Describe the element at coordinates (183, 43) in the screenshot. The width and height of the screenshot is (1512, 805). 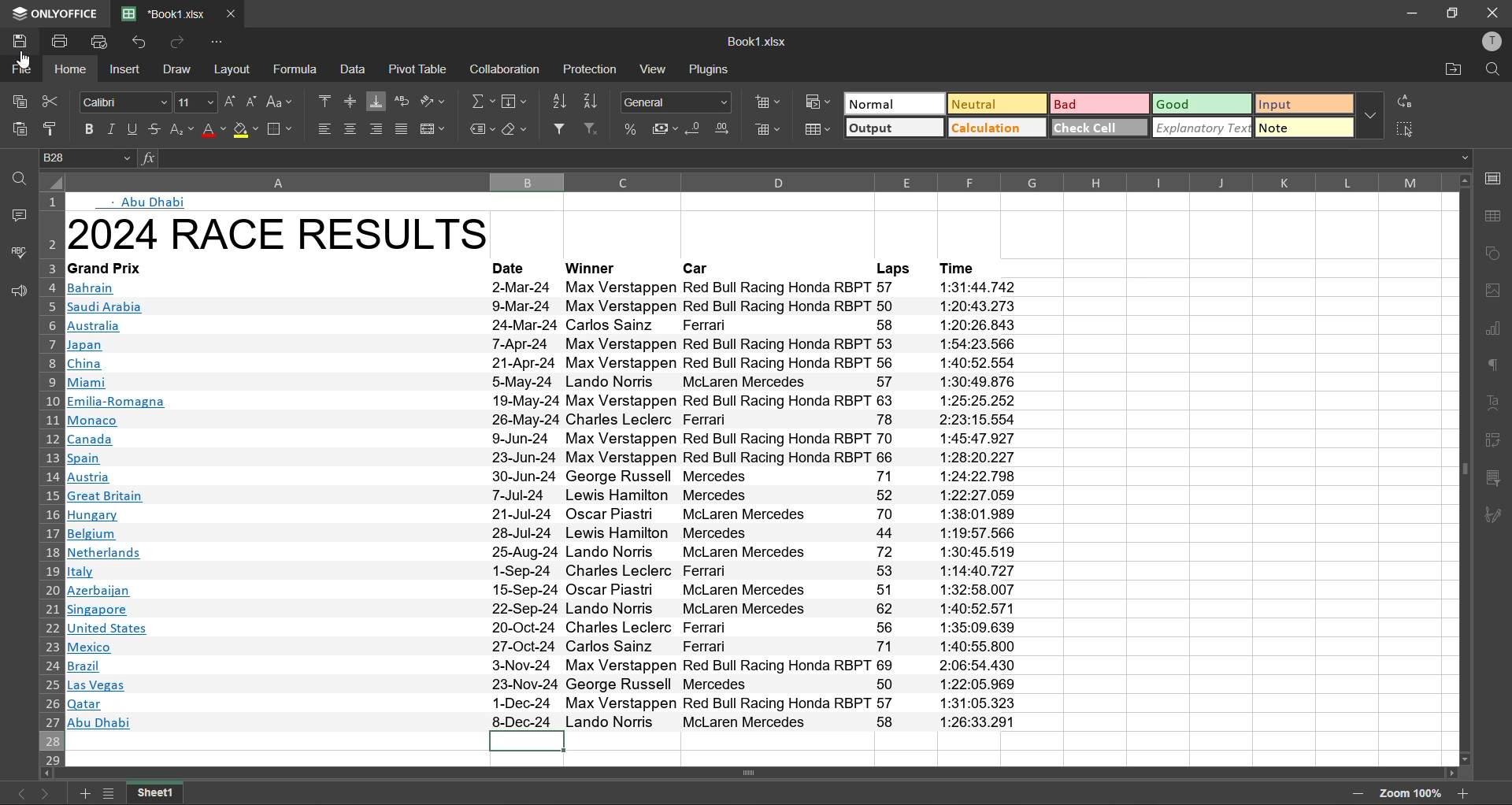
I see `redo` at that location.